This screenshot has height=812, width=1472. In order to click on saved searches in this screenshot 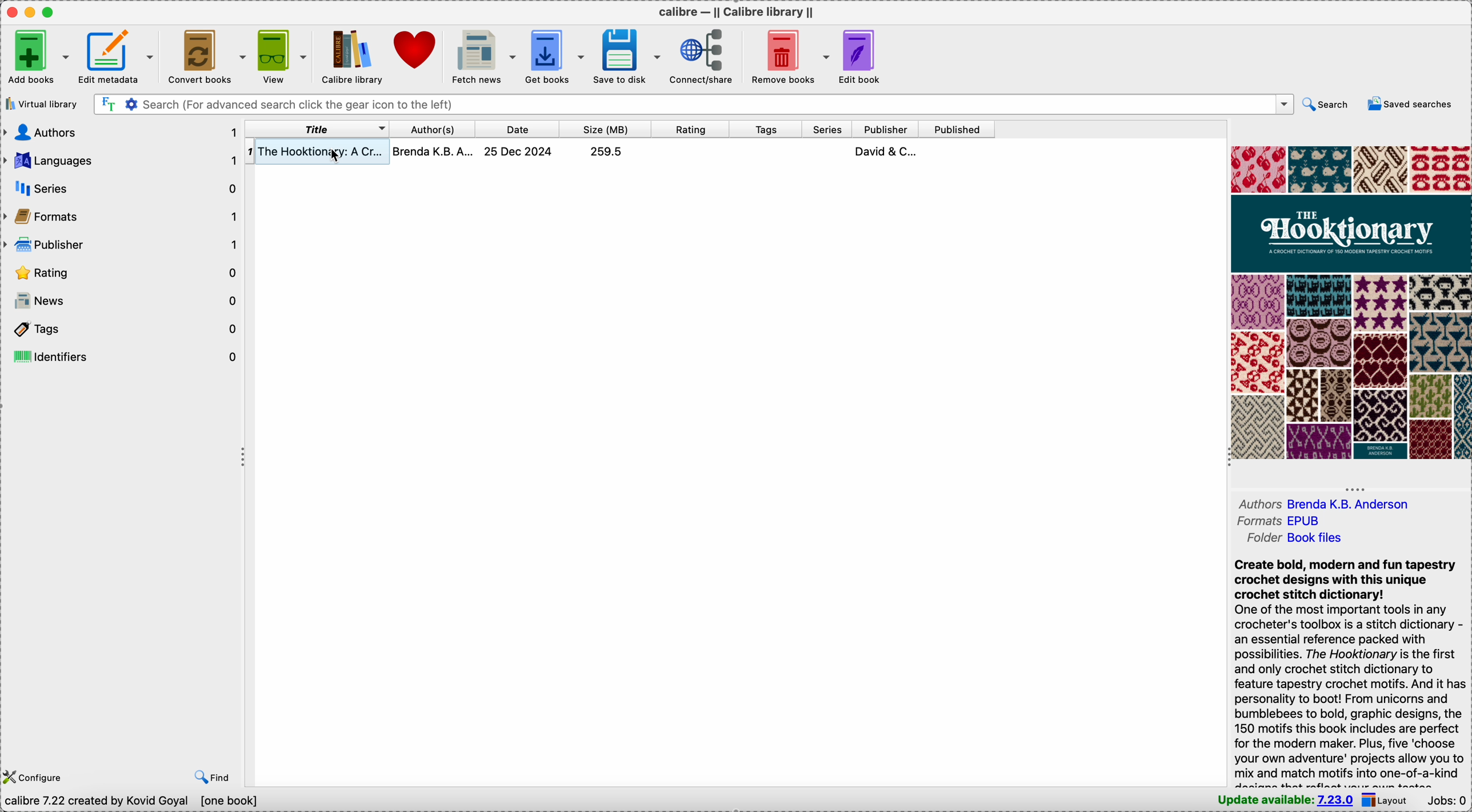, I will do `click(1413, 103)`.